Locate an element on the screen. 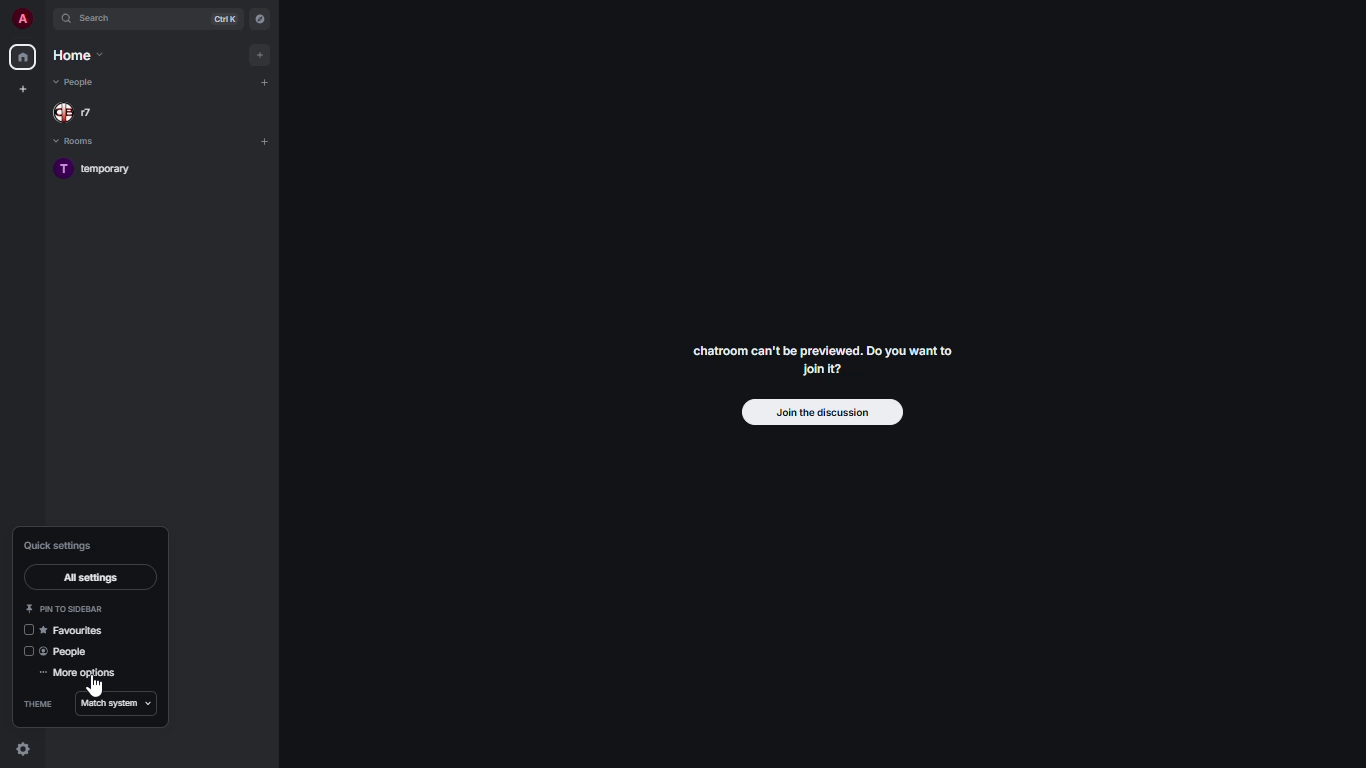 The width and height of the screenshot is (1366, 768). disabled is located at coordinates (28, 630).